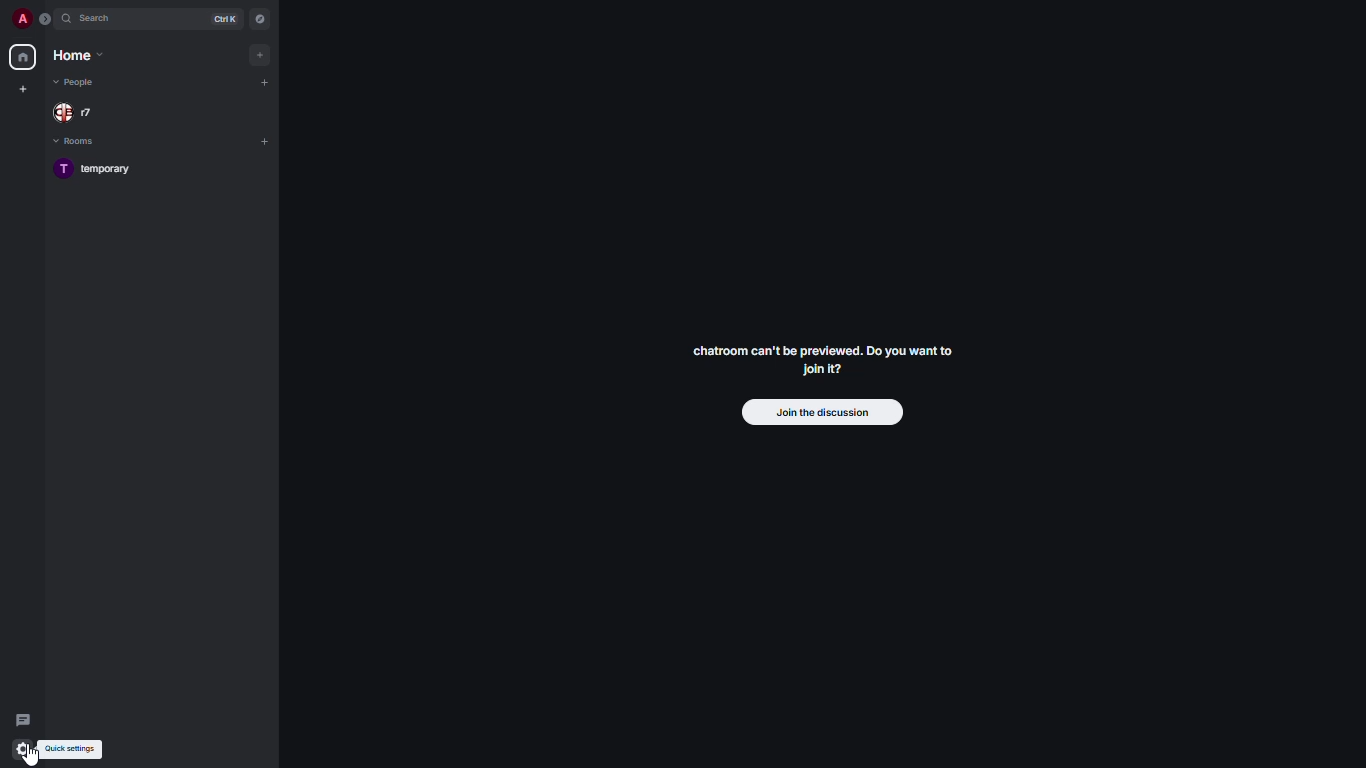 The height and width of the screenshot is (768, 1366). I want to click on expand, so click(47, 19).